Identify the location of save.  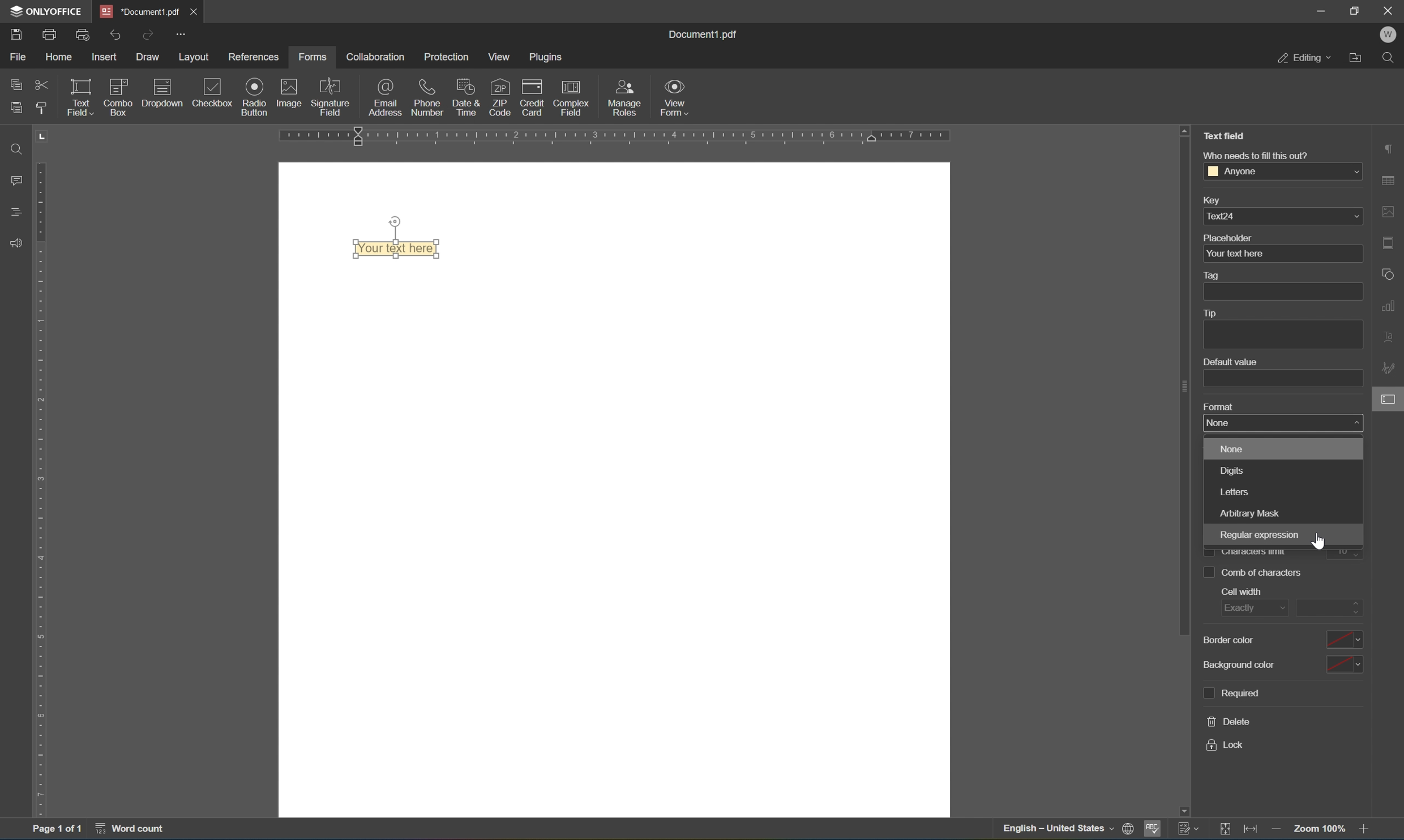
(16, 36).